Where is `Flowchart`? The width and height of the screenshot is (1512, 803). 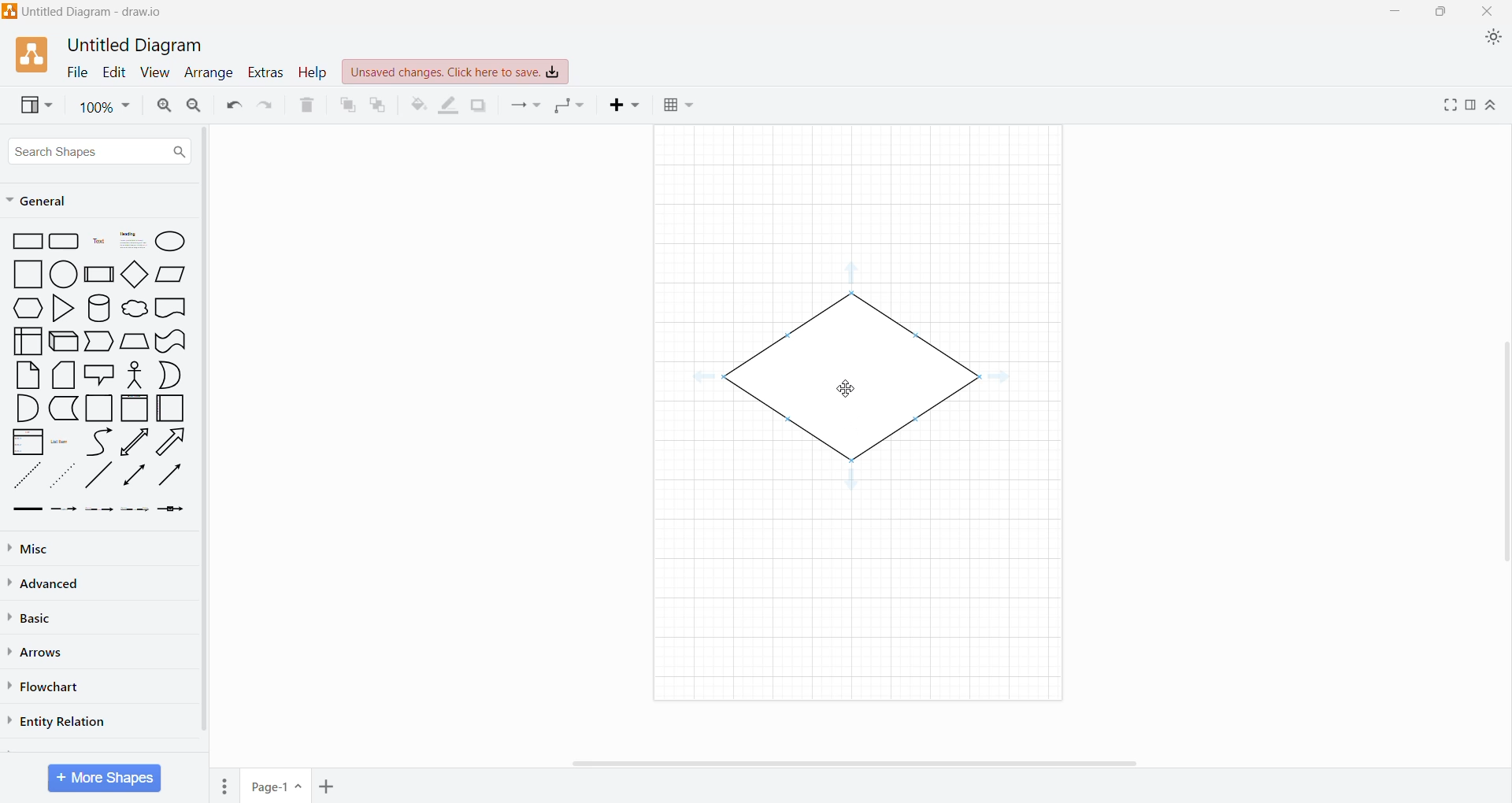 Flowchart is located at coordinates (50, 687).